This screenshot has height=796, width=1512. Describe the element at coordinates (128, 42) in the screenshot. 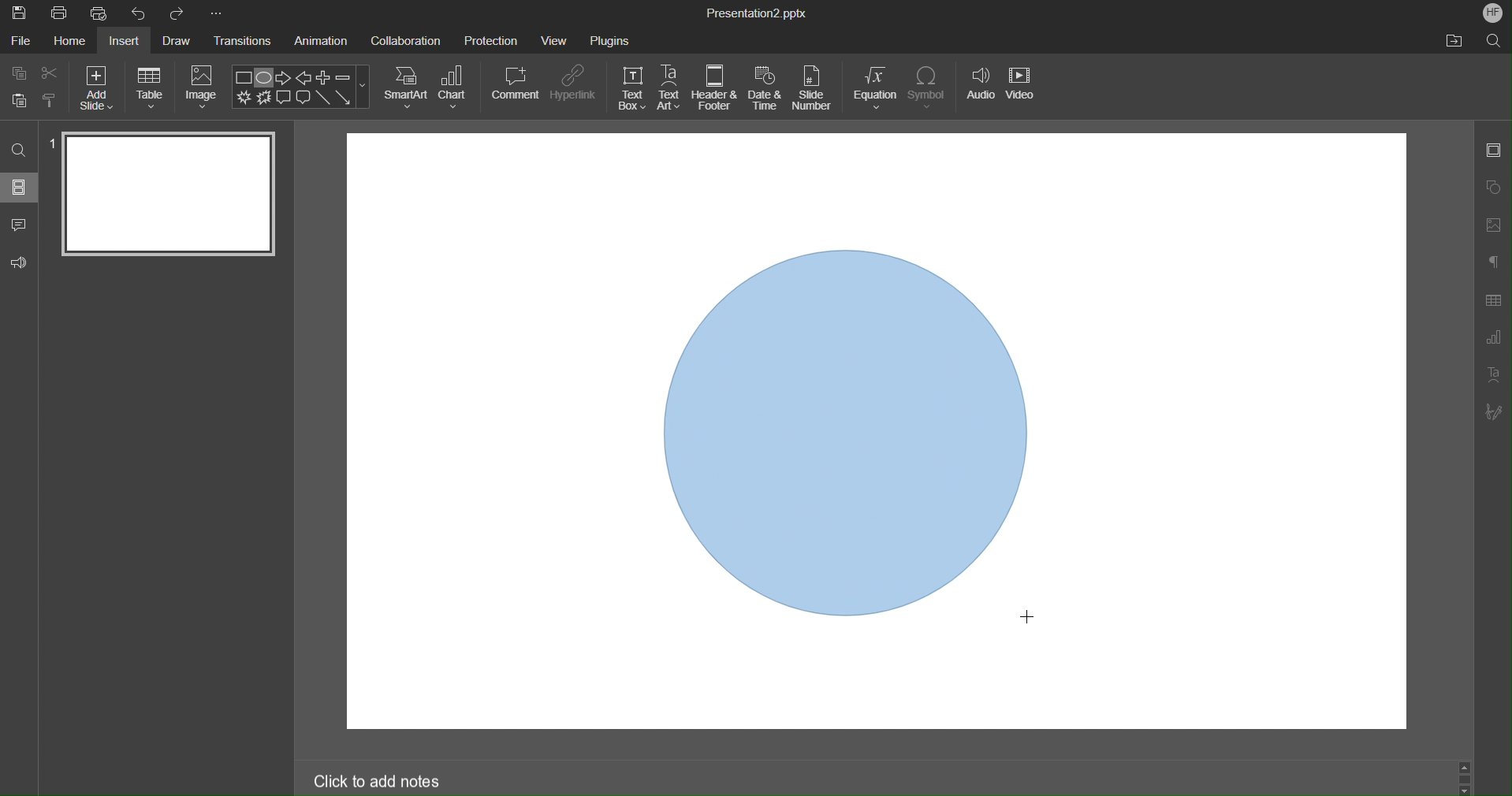

I see `Insert` at that location.